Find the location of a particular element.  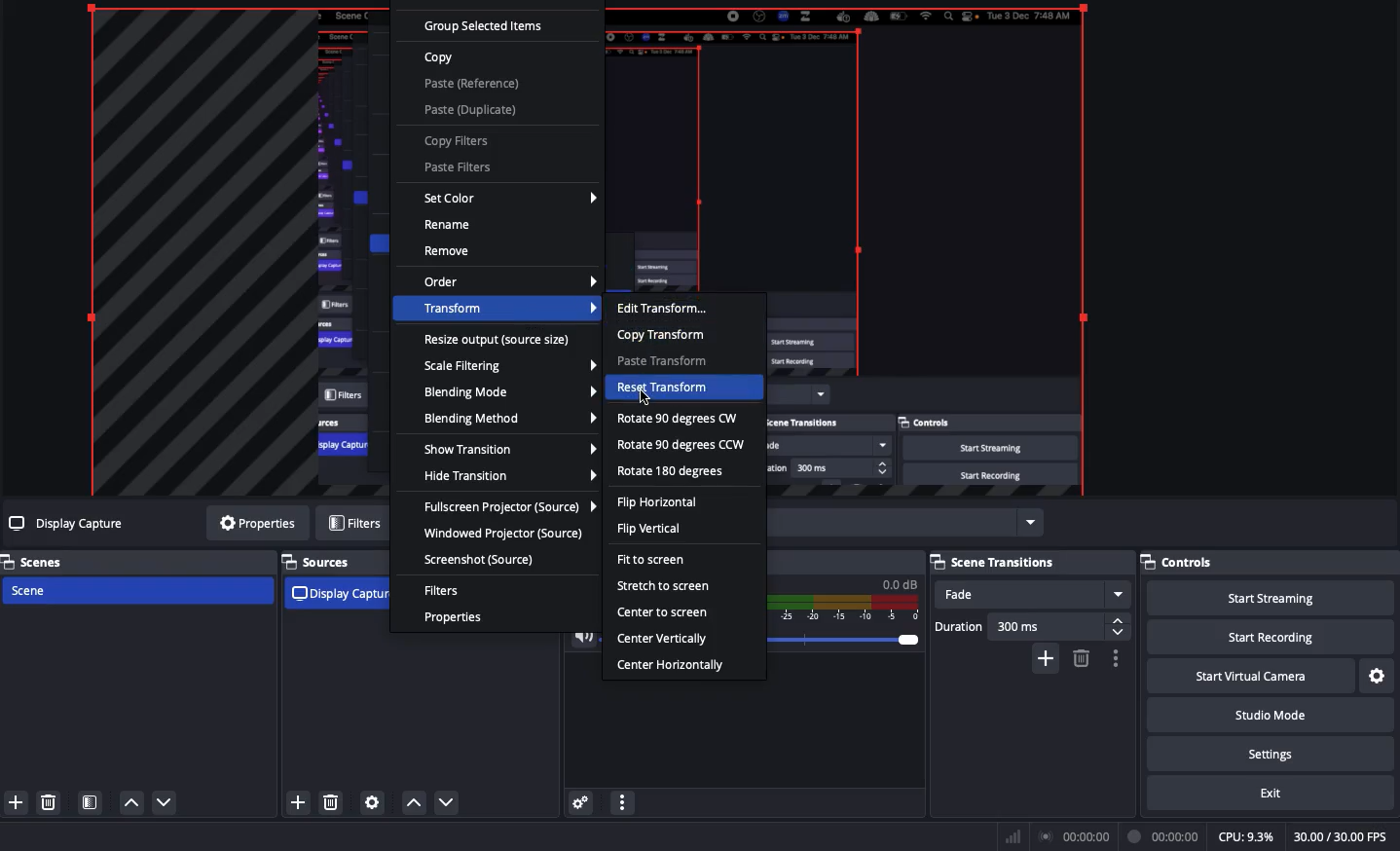

Copy filters is located at coordinates (457, 141).